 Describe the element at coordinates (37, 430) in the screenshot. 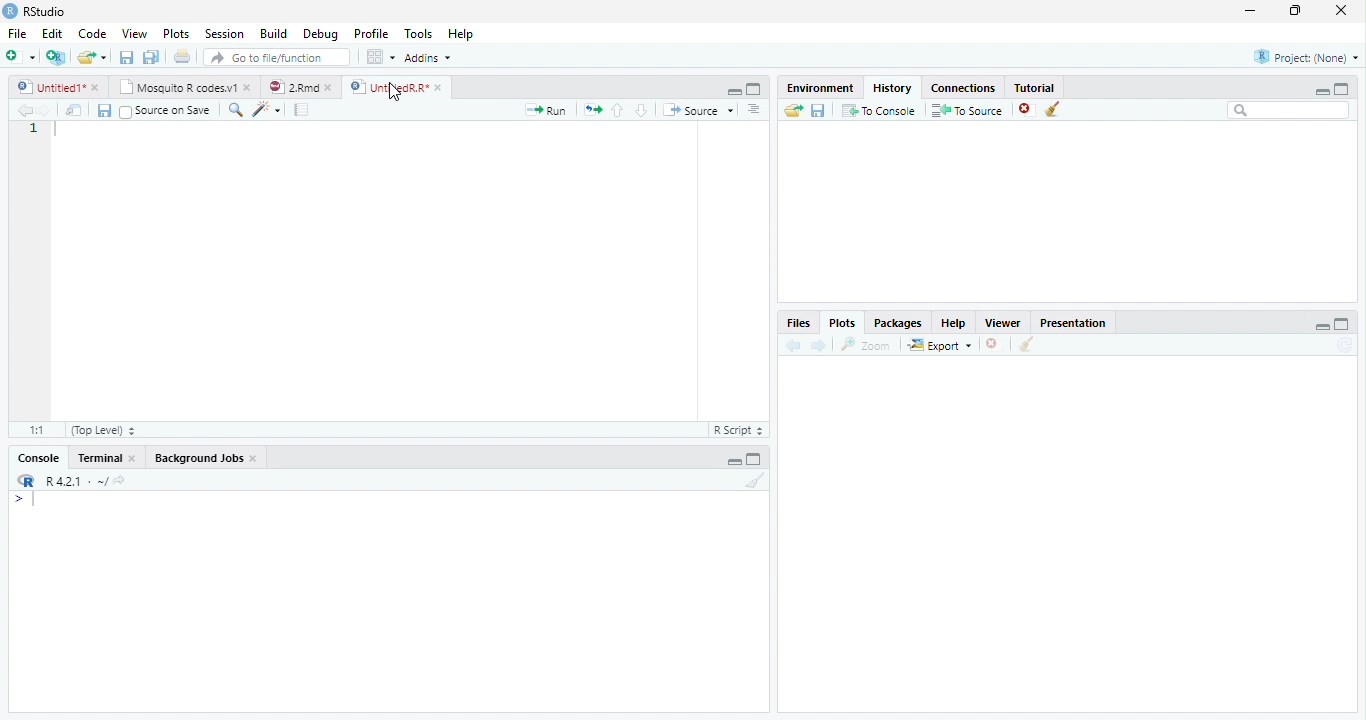

I see `1:1` at that location.